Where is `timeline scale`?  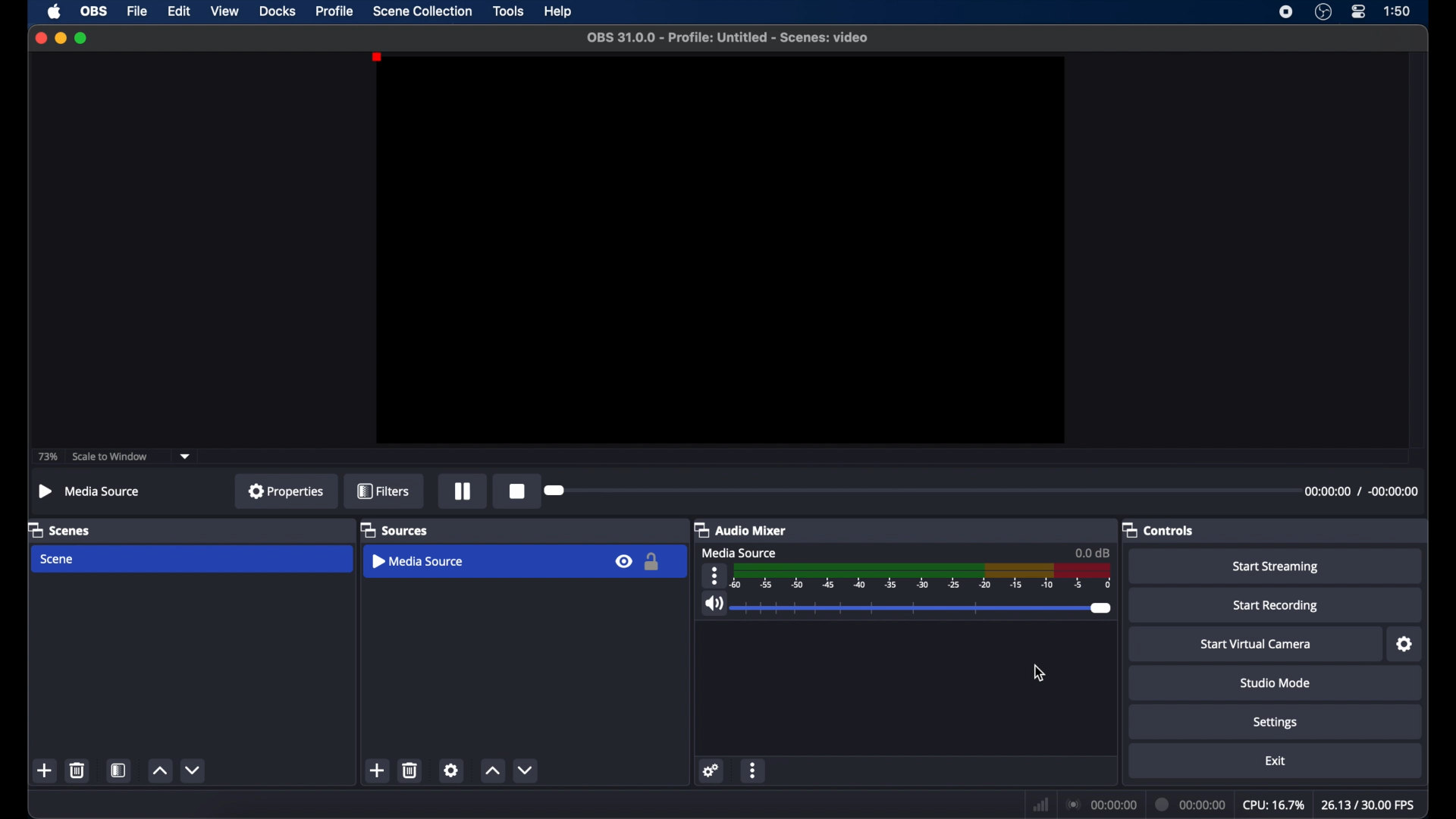 timeline scale is located at coordinates (924, 578).